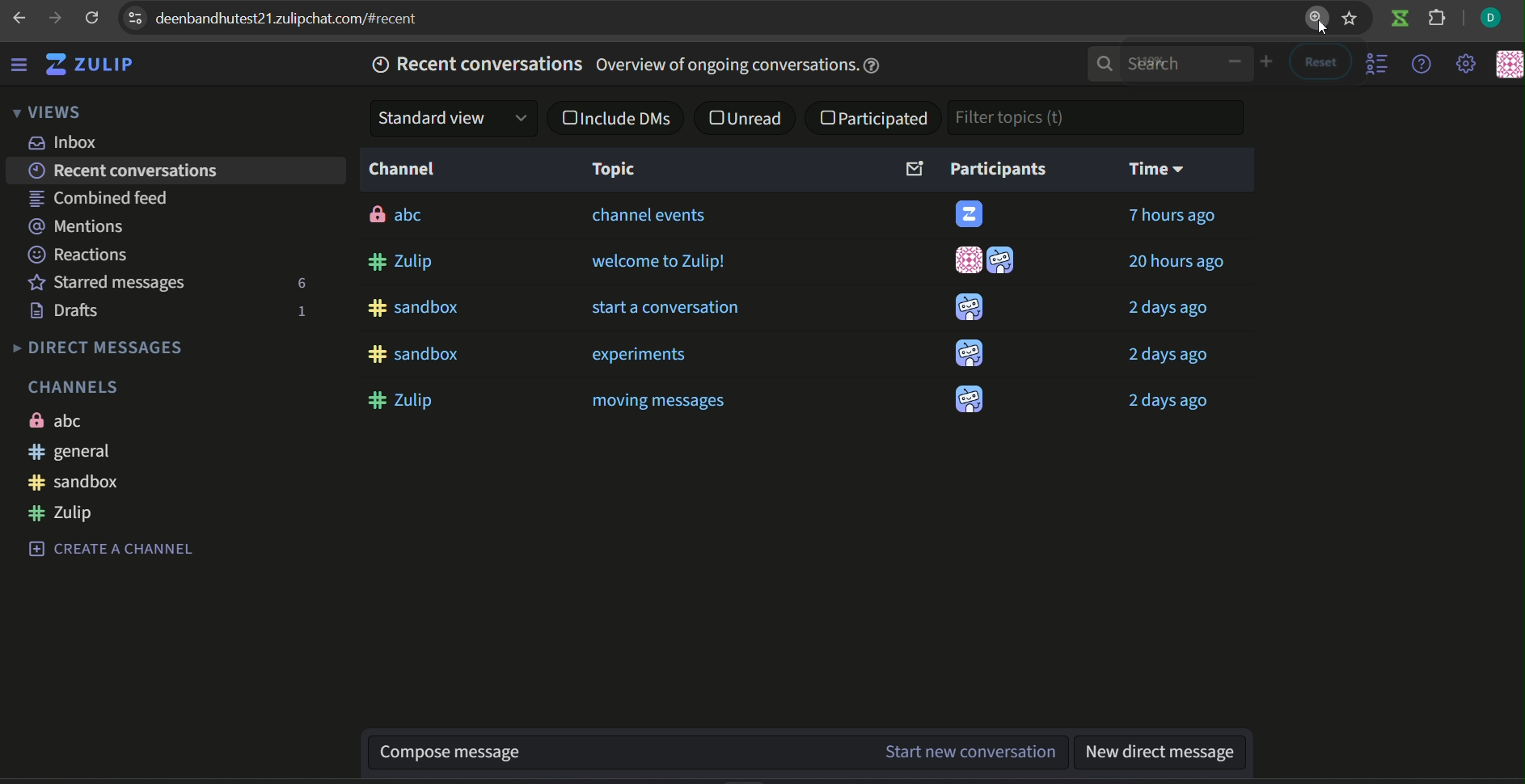  Describe the element at coordinates (970, 213) in the screenshot. I see `icon` at that location.